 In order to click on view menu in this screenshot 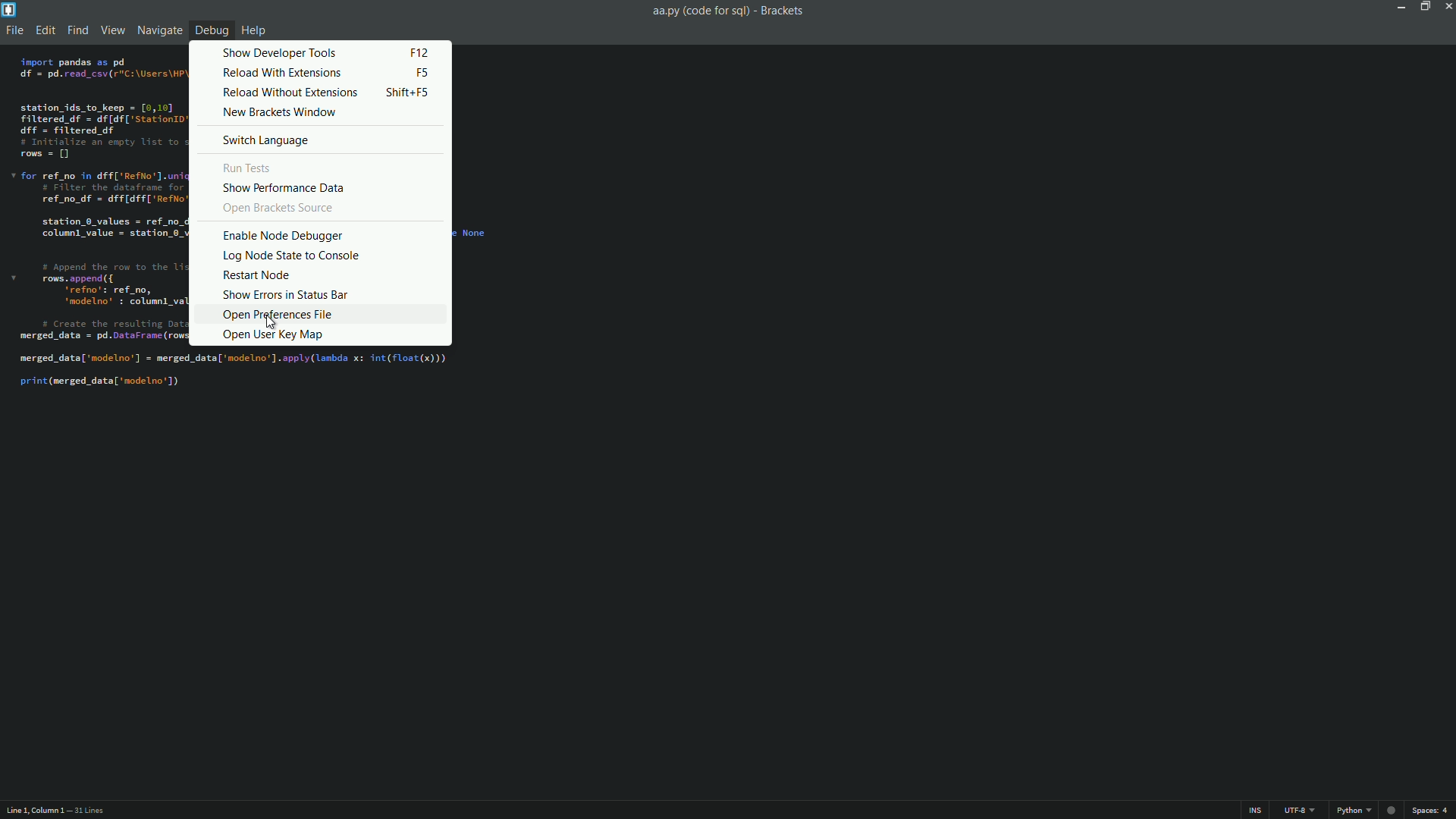, I will do `click(113, 30)`.